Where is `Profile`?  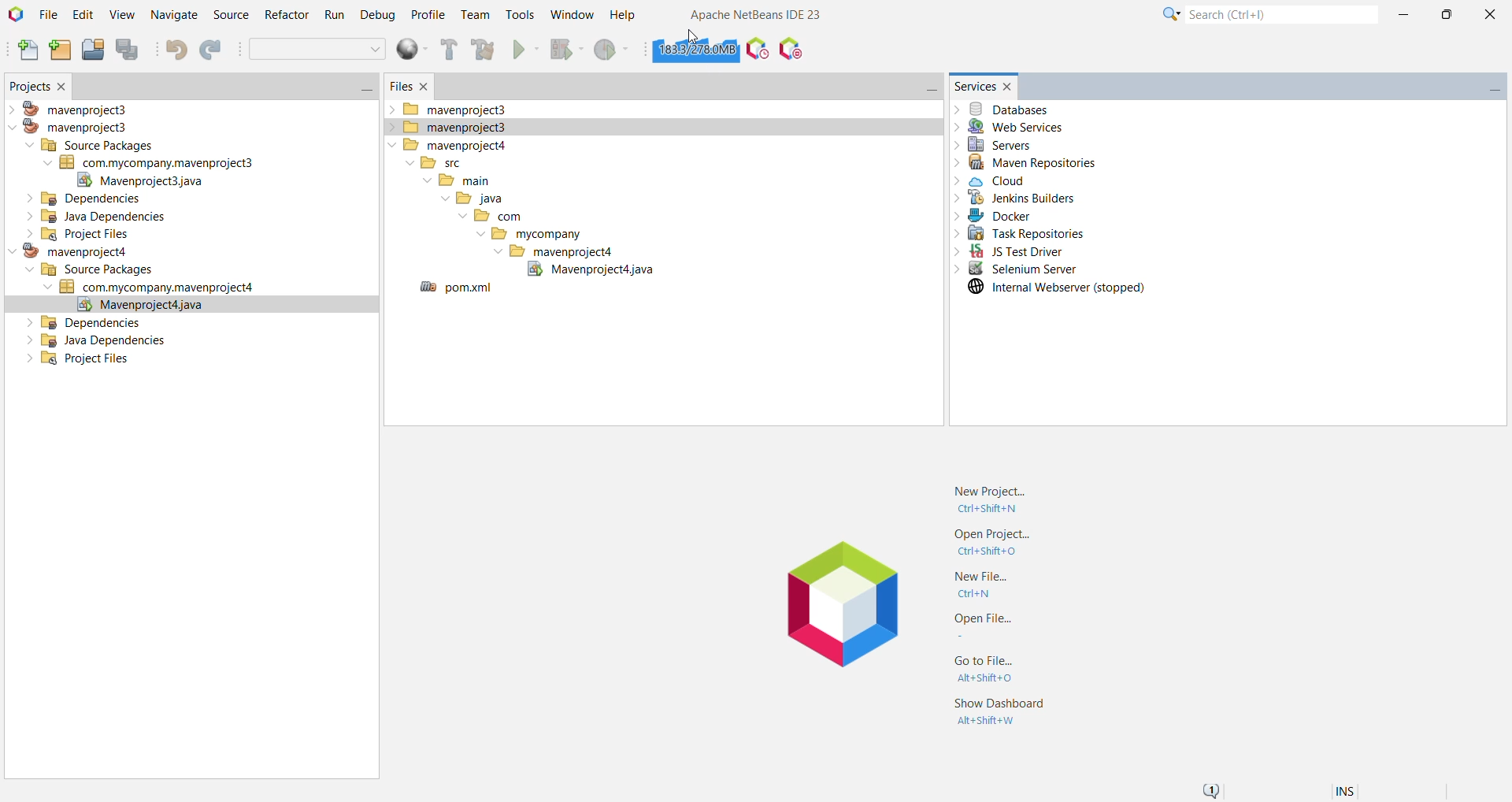
Profile is located at coordinates (428, 17).